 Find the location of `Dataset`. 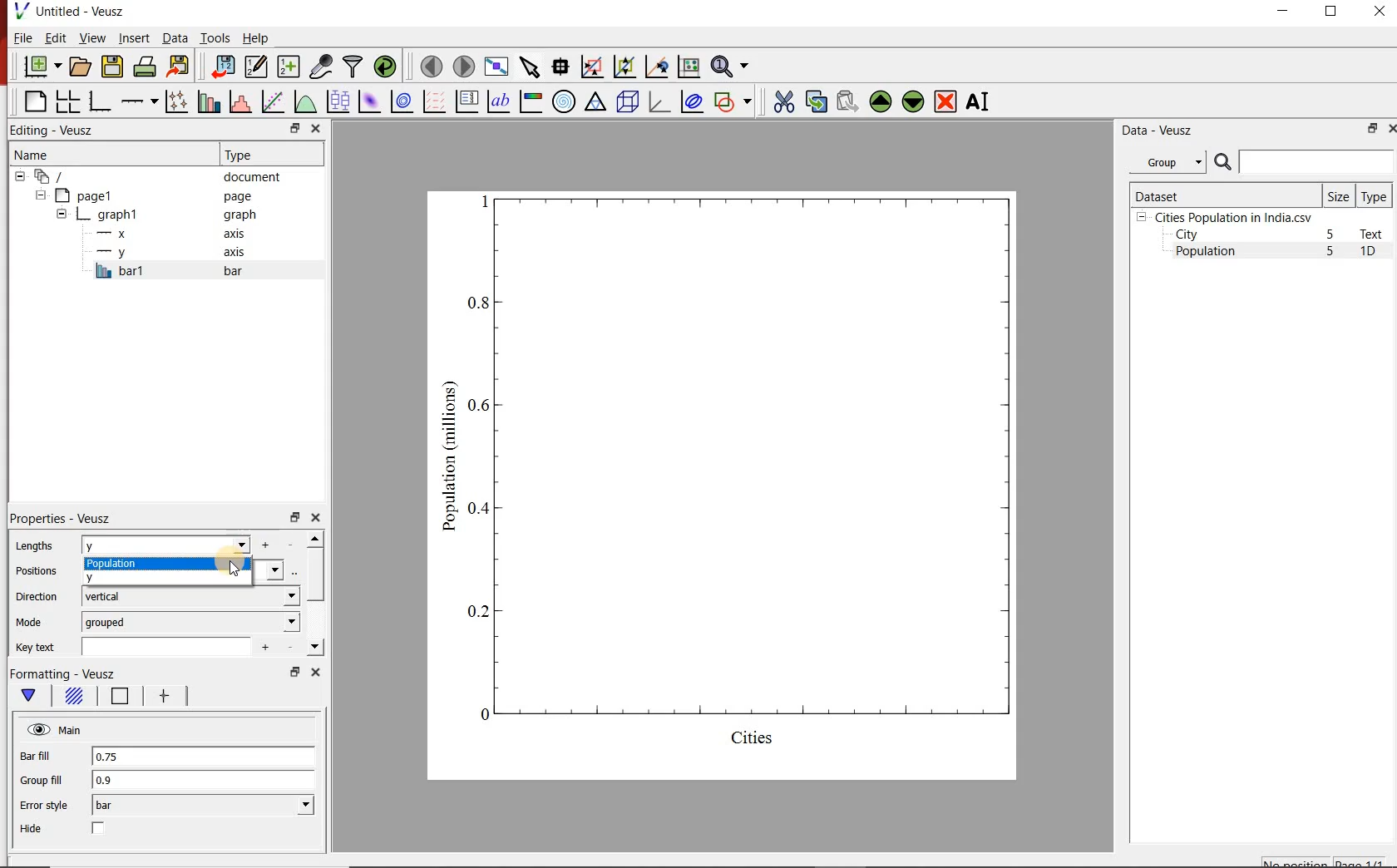

Dataset is located at coordinates (1223, 195).